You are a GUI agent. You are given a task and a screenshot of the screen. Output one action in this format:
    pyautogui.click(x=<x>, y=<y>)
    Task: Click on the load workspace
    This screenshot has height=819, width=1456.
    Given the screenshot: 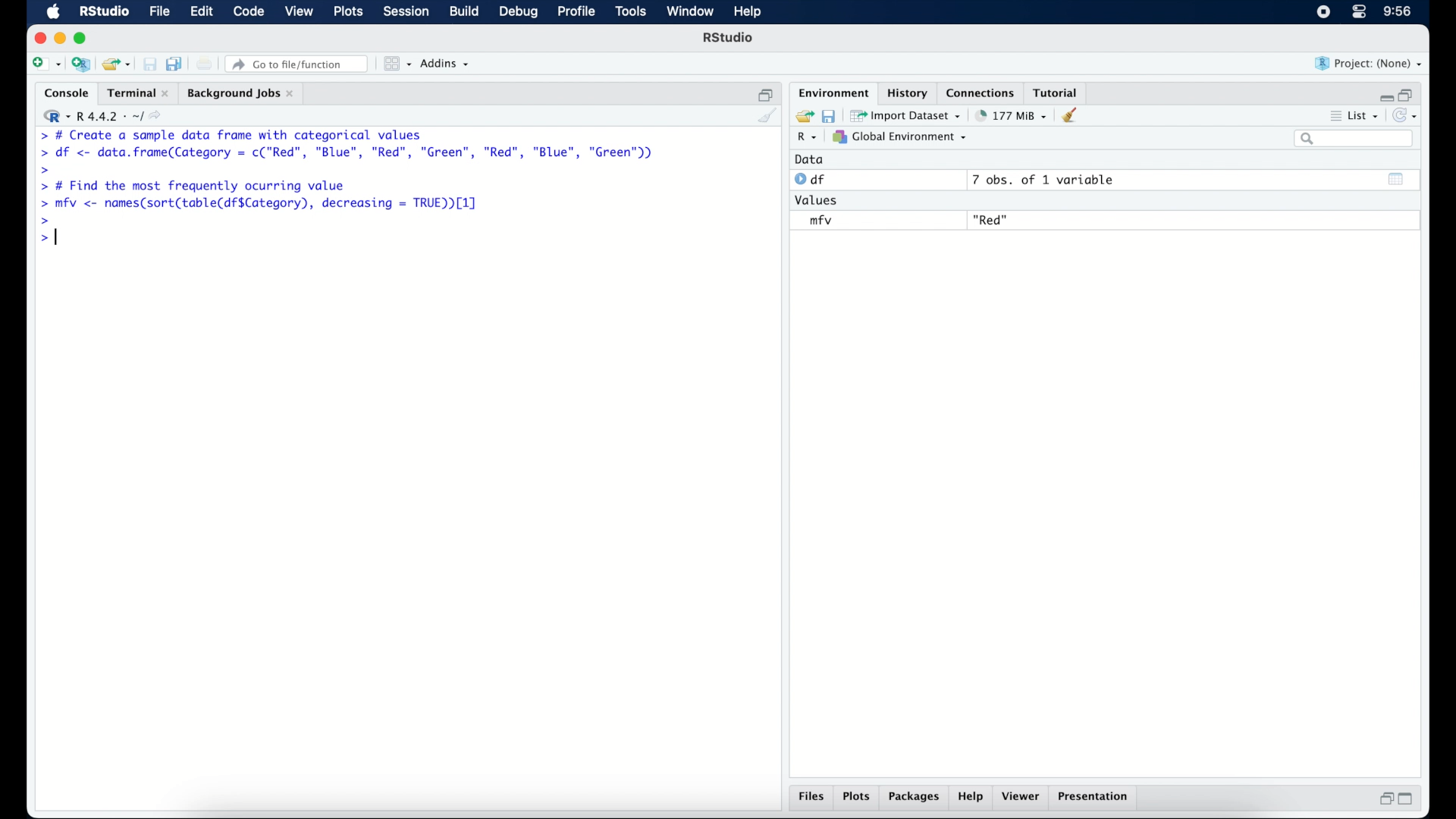 What is the action you would take?
    pyautogui.click(x=802, y=114)
    